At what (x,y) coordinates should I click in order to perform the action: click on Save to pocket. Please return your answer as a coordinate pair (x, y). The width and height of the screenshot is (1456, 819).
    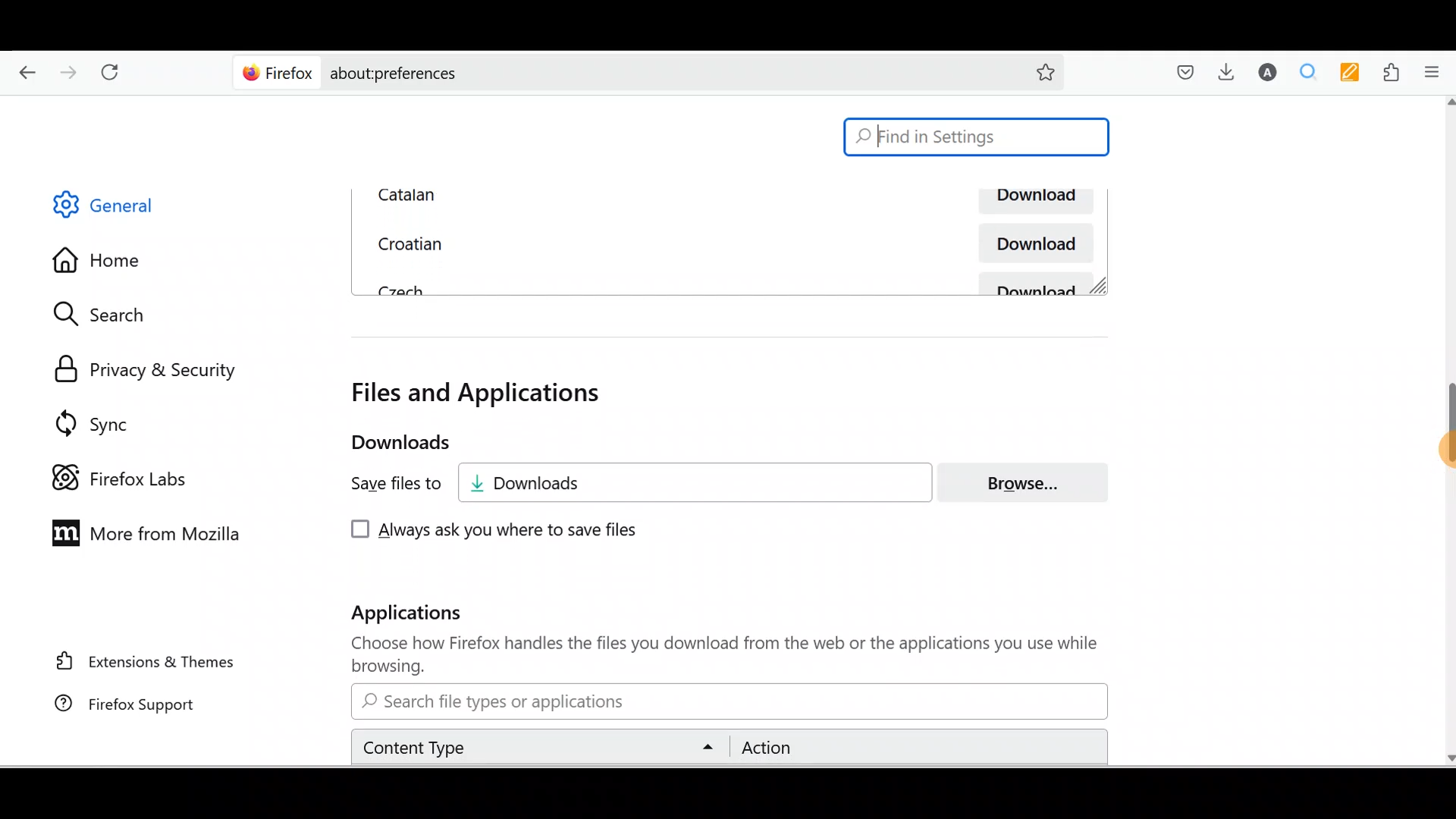
    Looking at the image, I should click on (1179, 72).